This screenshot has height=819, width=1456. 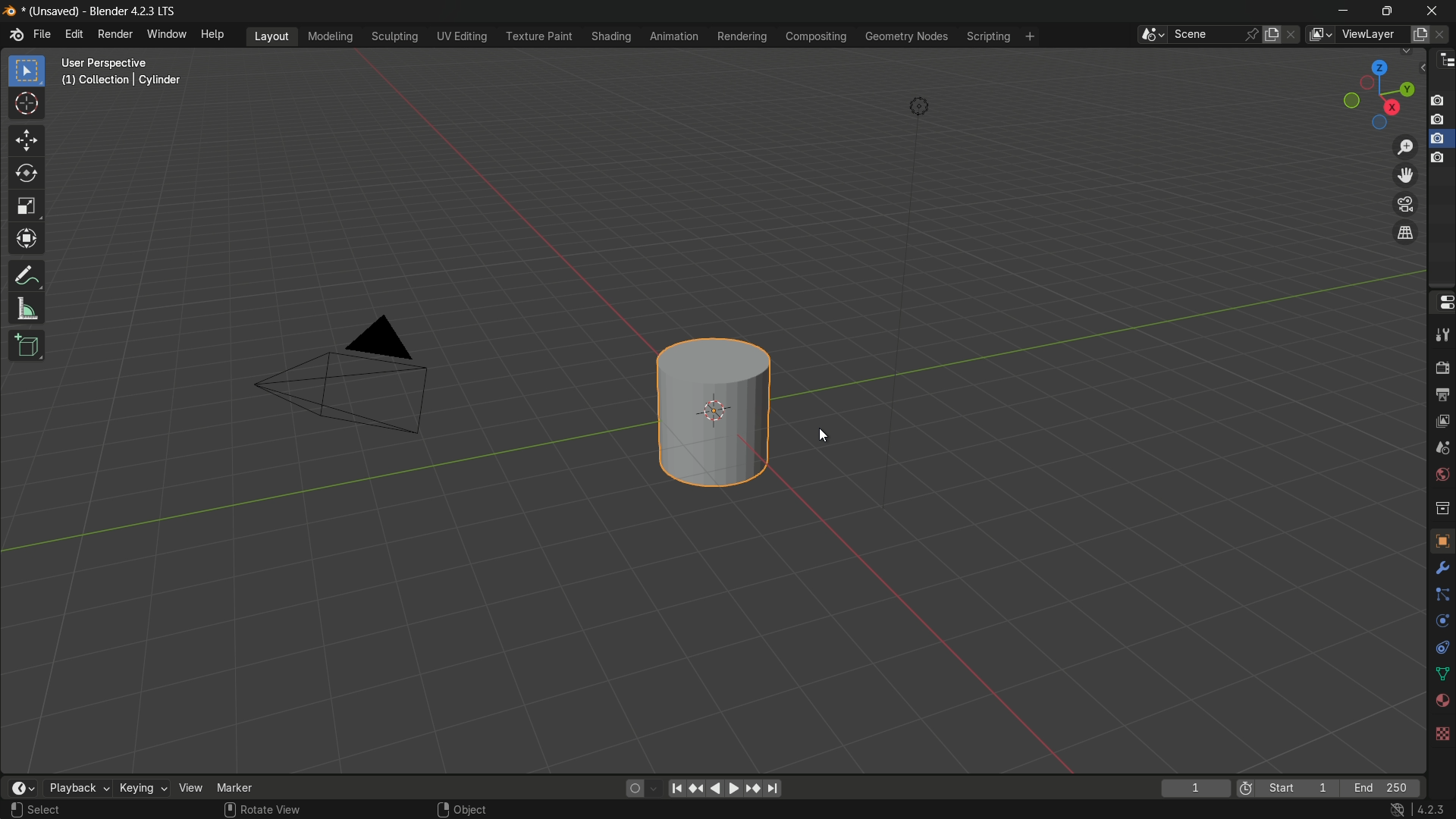 What do you see at coordinates (1442, 475) in the screenshot?
I see `world` at bounding box center [1442, 475].